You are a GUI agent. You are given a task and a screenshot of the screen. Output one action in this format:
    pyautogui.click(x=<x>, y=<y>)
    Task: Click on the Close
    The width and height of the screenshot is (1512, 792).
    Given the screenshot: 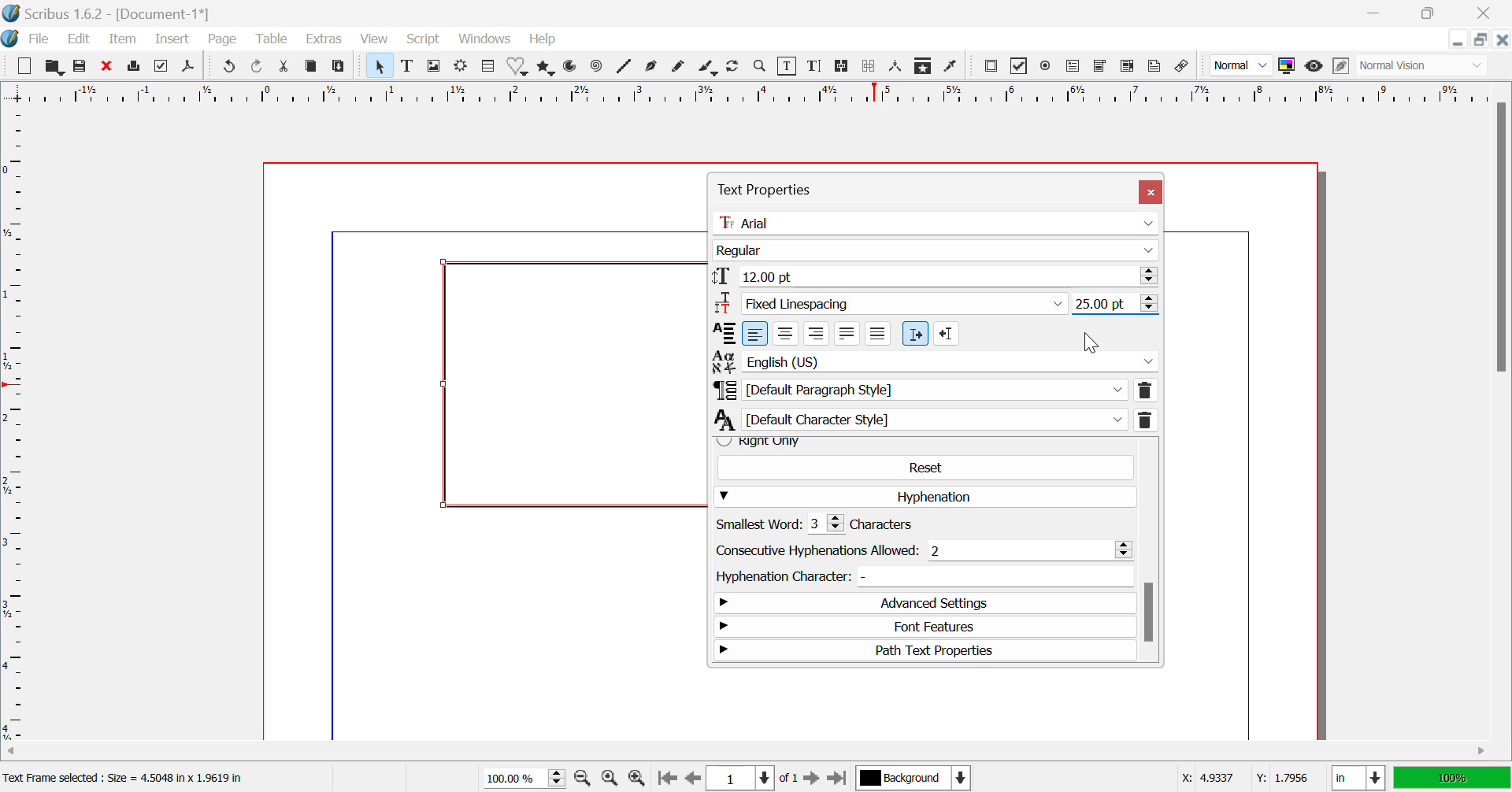 What is the action you would take?
    pyautogui.click(x=1503, y=40)
    